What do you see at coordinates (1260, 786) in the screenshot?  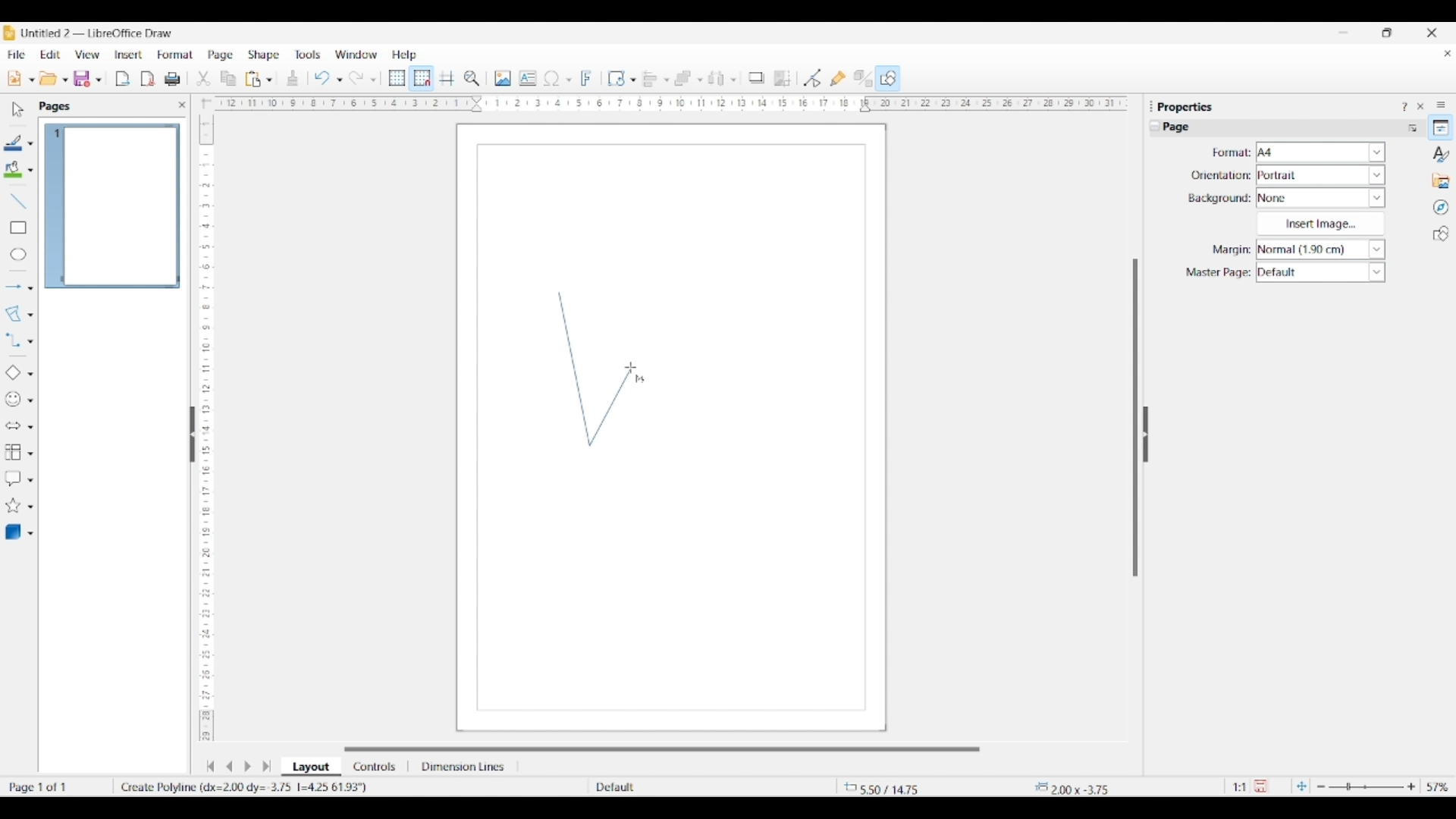 I see `Click to save modifications` at bounding box center [1260, 786].